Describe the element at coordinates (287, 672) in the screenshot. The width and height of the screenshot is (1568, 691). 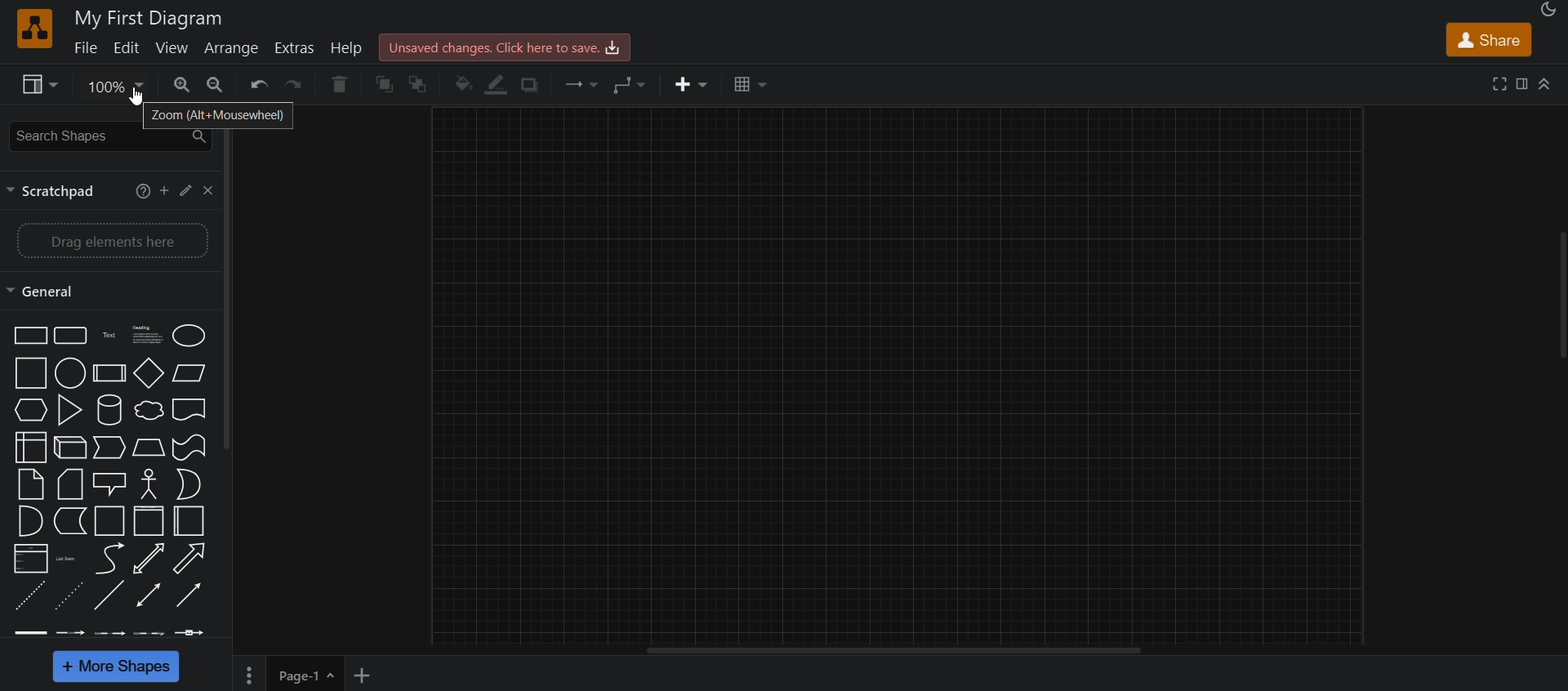
I see `page 1` at that location.